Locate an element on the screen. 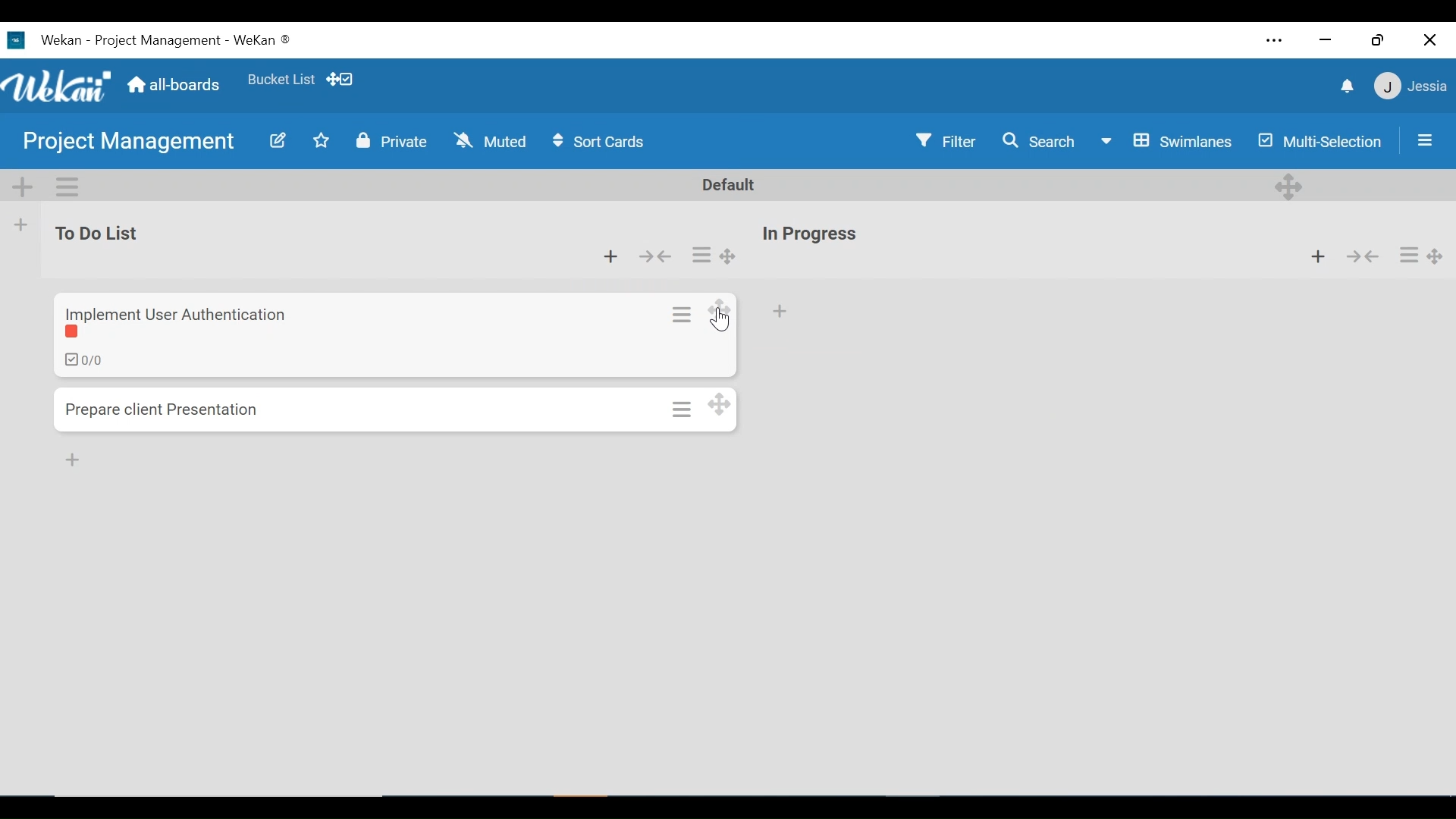  minimize is located at coordinates (1323, 41).